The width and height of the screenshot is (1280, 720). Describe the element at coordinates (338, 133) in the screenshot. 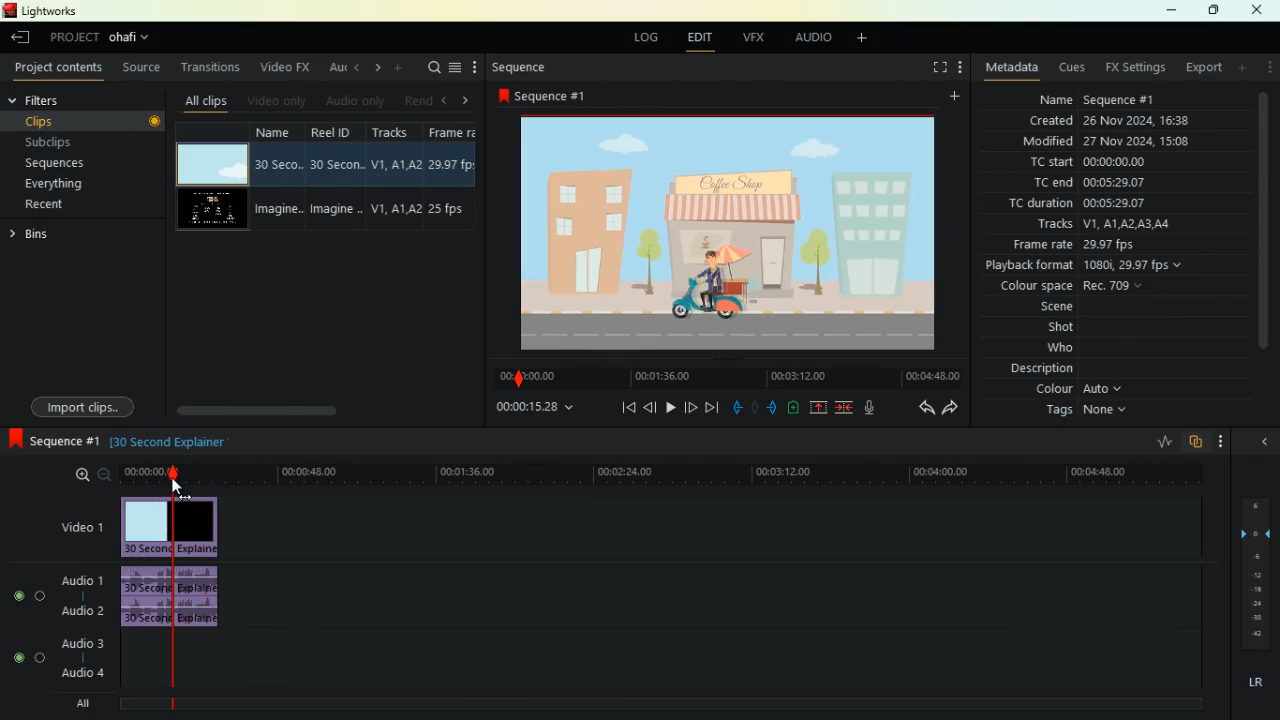

I see `reel id` at that location.